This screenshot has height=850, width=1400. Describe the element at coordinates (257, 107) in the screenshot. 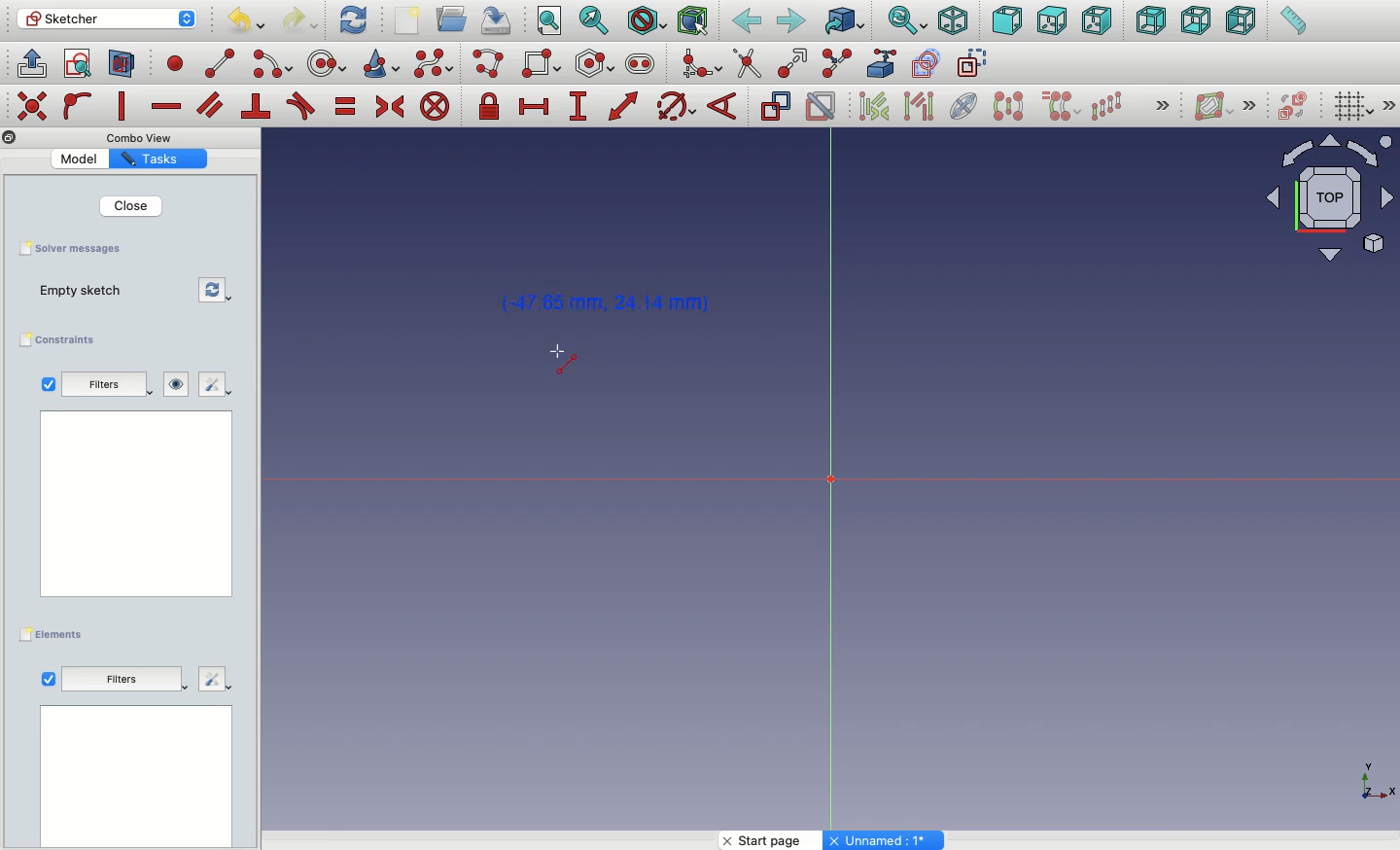

I see `Constrain perpendicular` at that location.